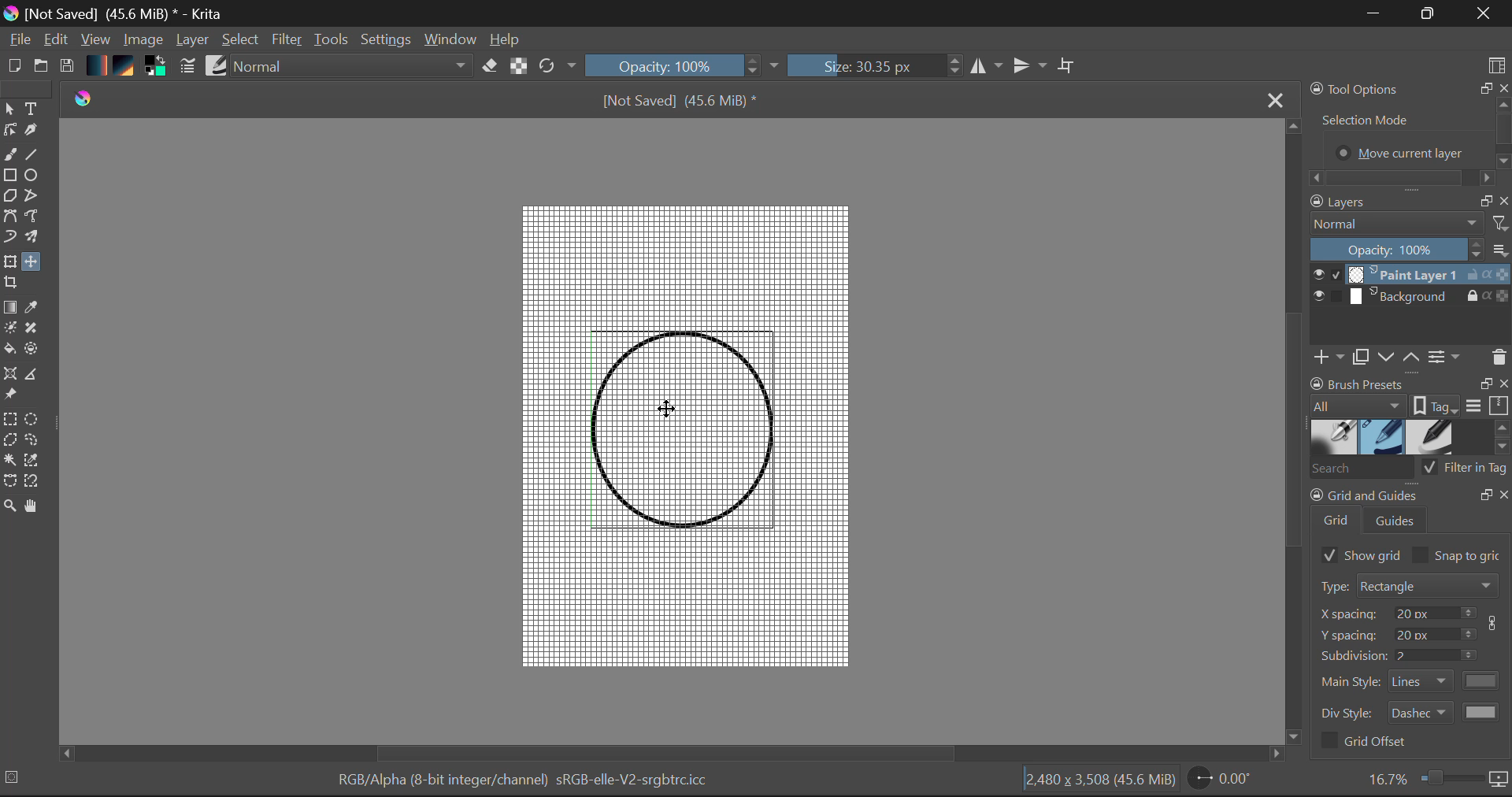  I want to click on Brush Settings, so click(187, 67).